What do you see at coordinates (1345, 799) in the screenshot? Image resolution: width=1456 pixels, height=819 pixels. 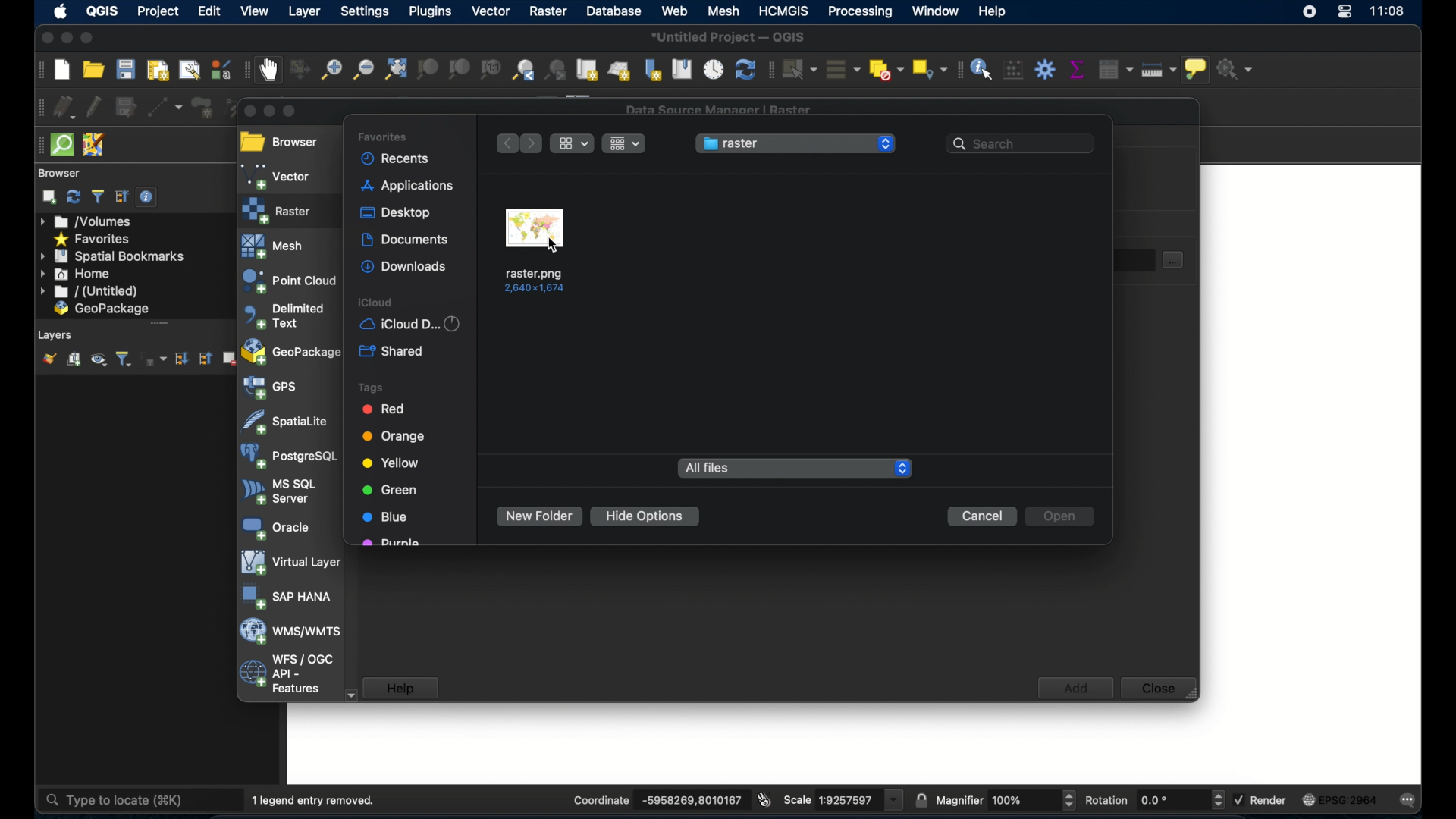 I see `current csr` at bounding box center [1345, 799].